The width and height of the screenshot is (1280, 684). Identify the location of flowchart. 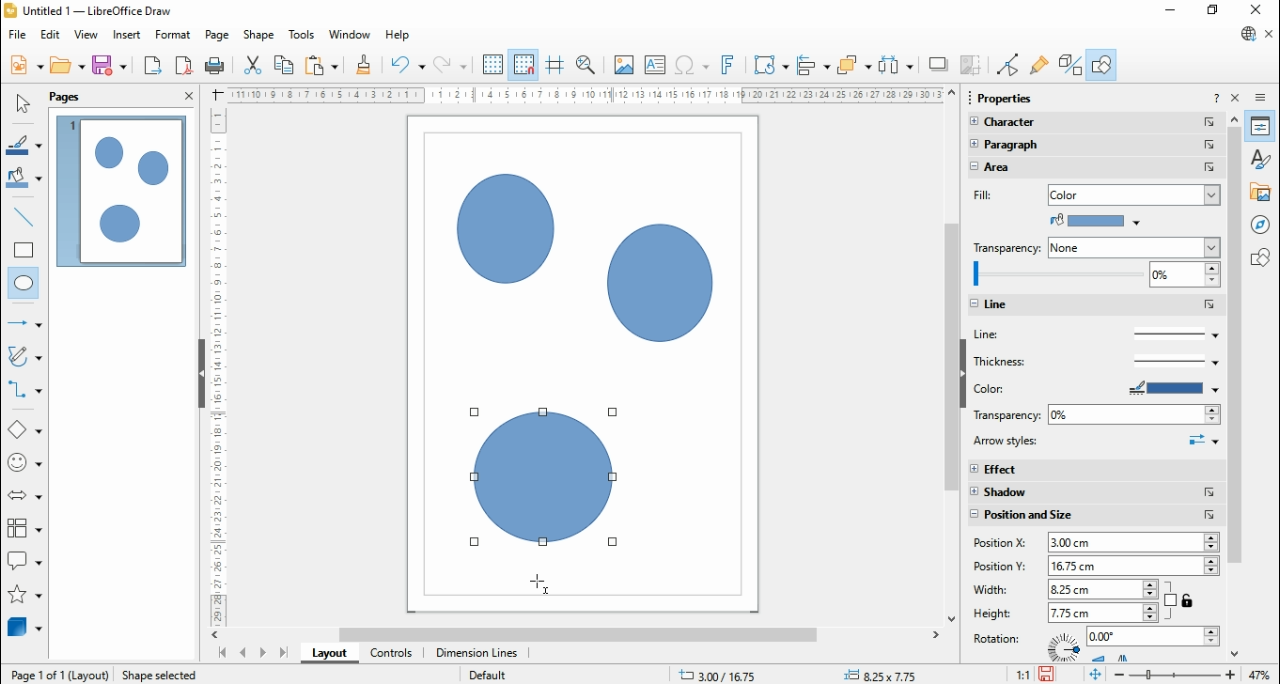
(25, 532).